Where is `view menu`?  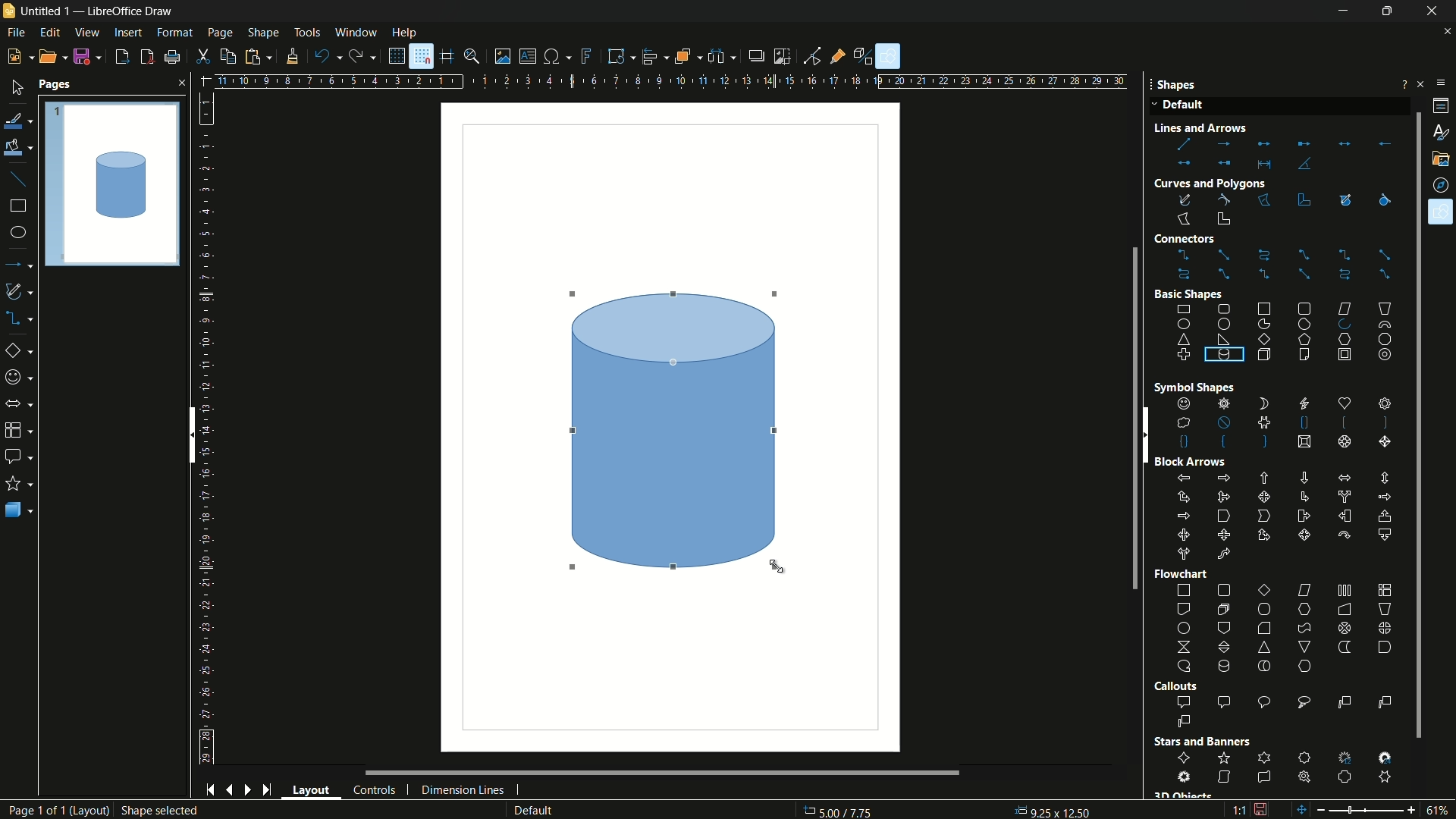
view menu is located at coordinates (88, 32).